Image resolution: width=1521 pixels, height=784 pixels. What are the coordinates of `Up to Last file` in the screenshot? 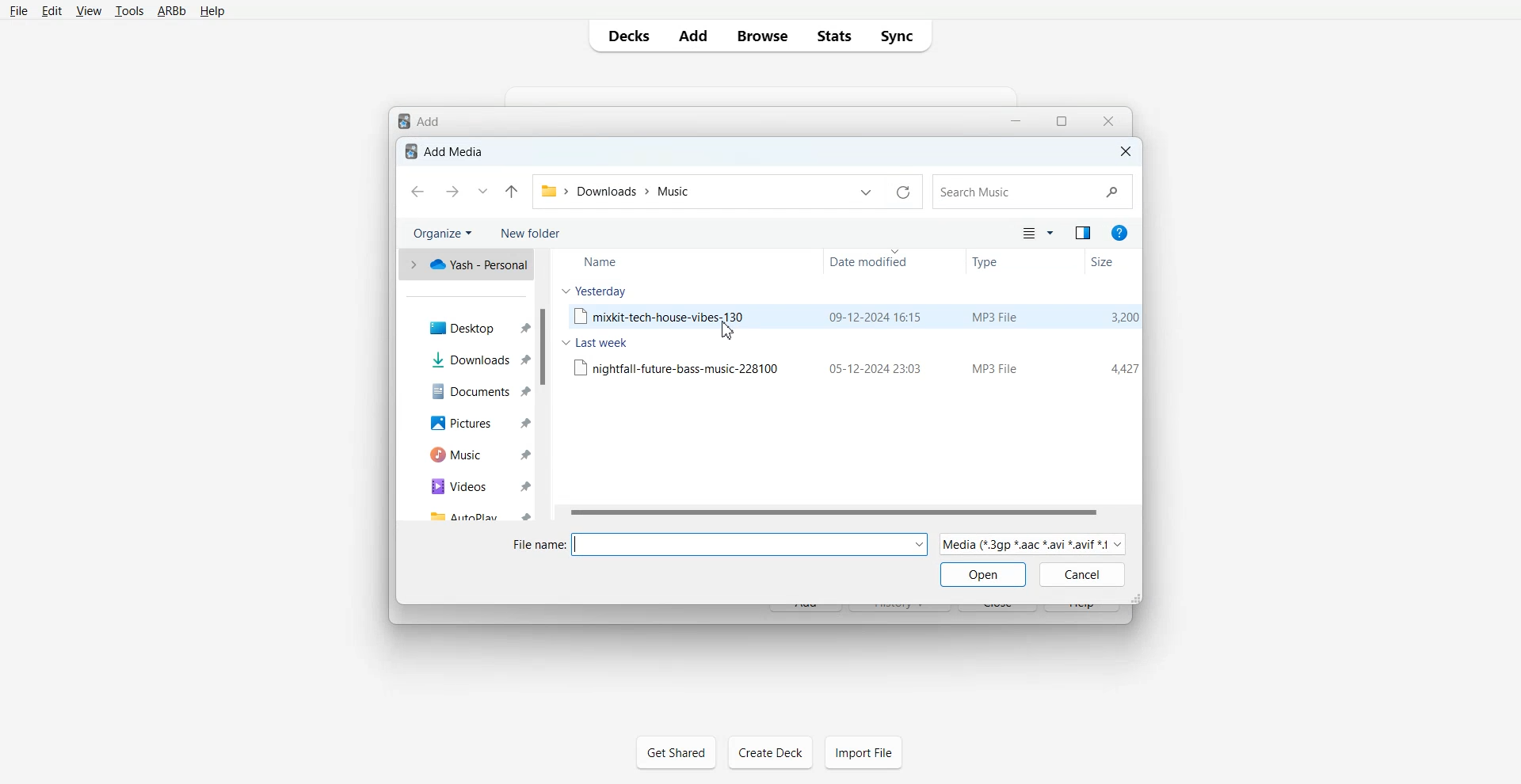 It's located at (513, 191).